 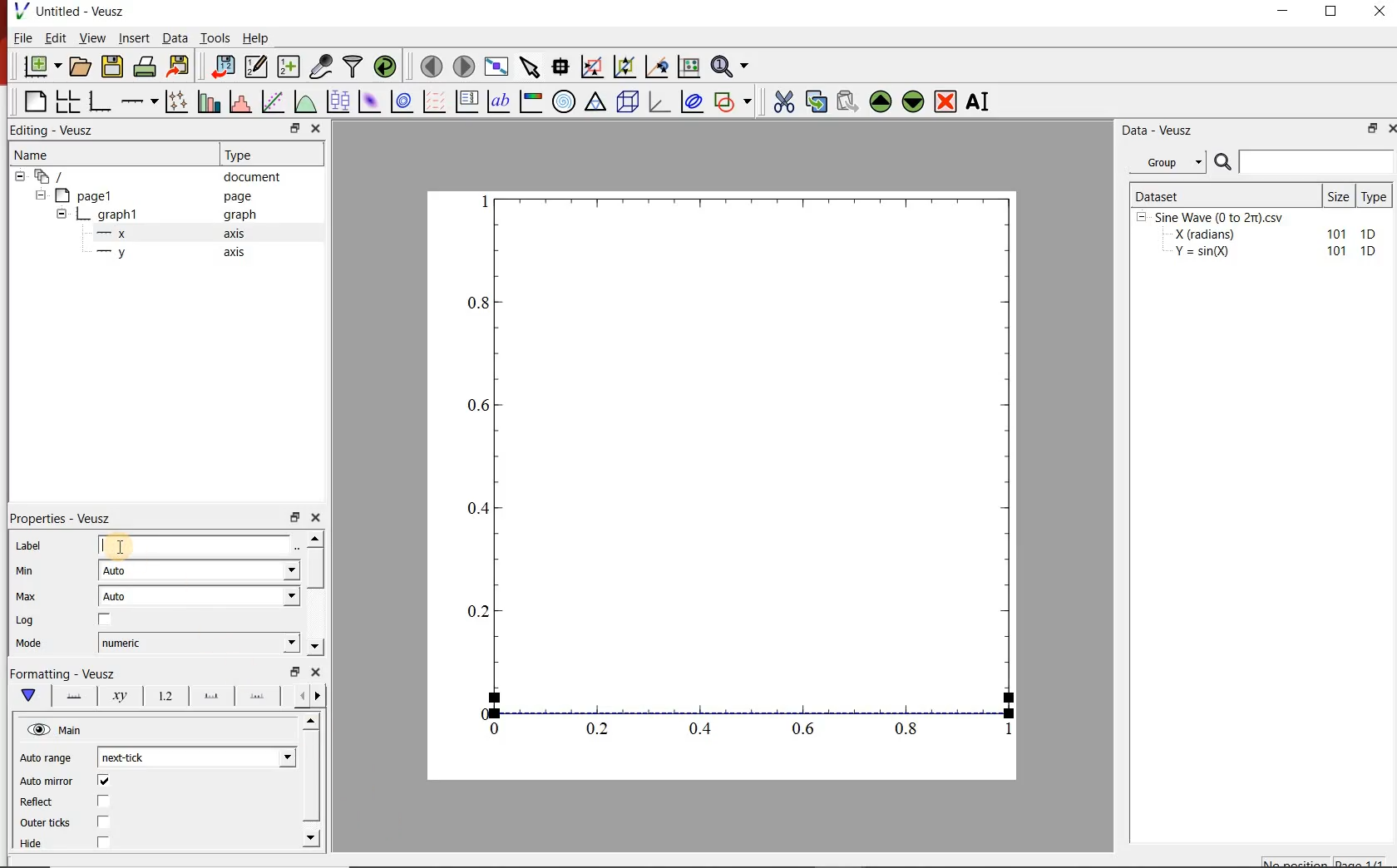 What do you see at coordinates (313, 837) in the screenshot?
I see `Down` at bounding box center [313, 837].